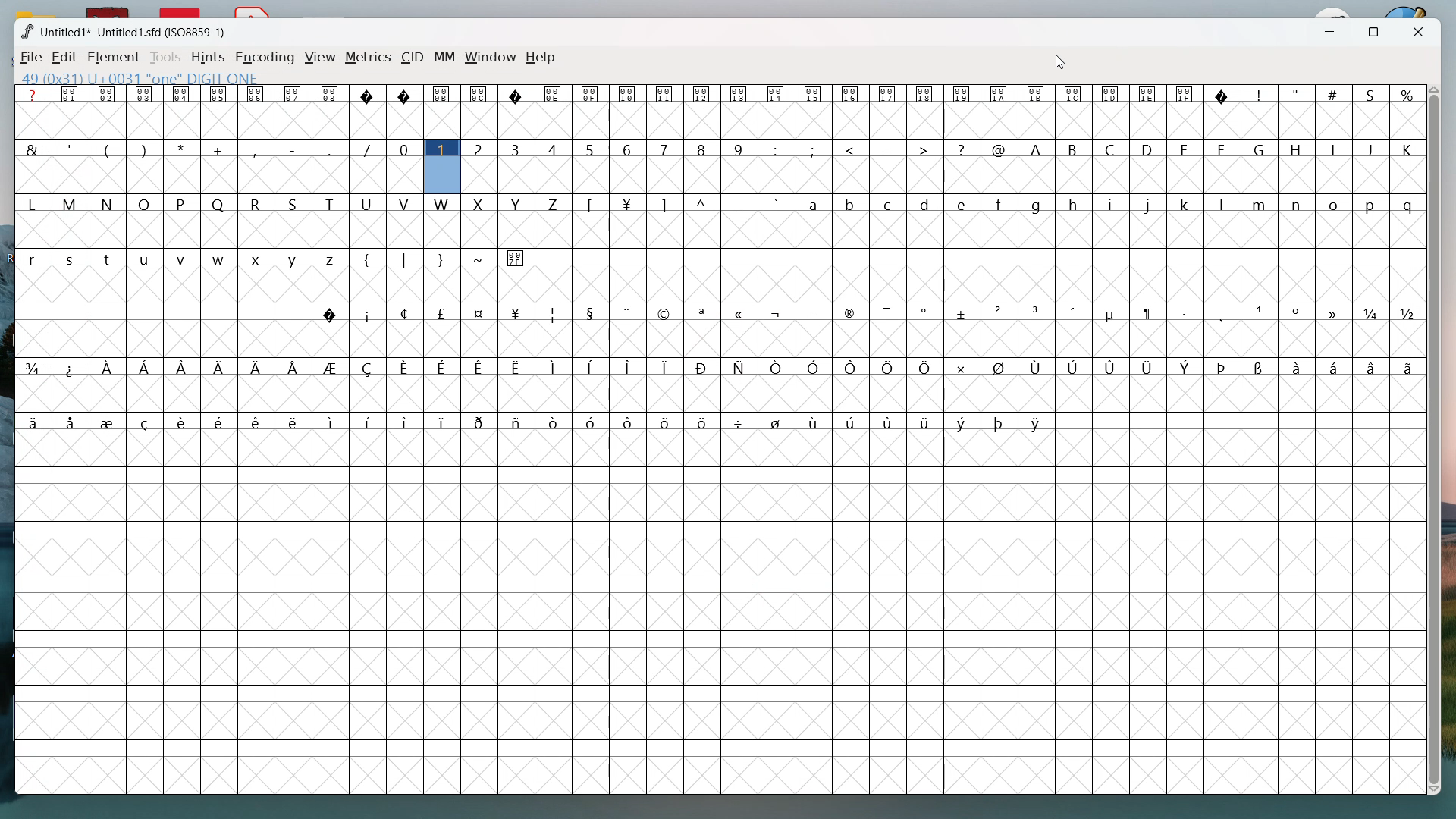 The width and height of the screenshot is (1456, 819). What do you see at coordinates (33, 367) in the screenshot?
I see `symbol` at bounding box center [33, 367].